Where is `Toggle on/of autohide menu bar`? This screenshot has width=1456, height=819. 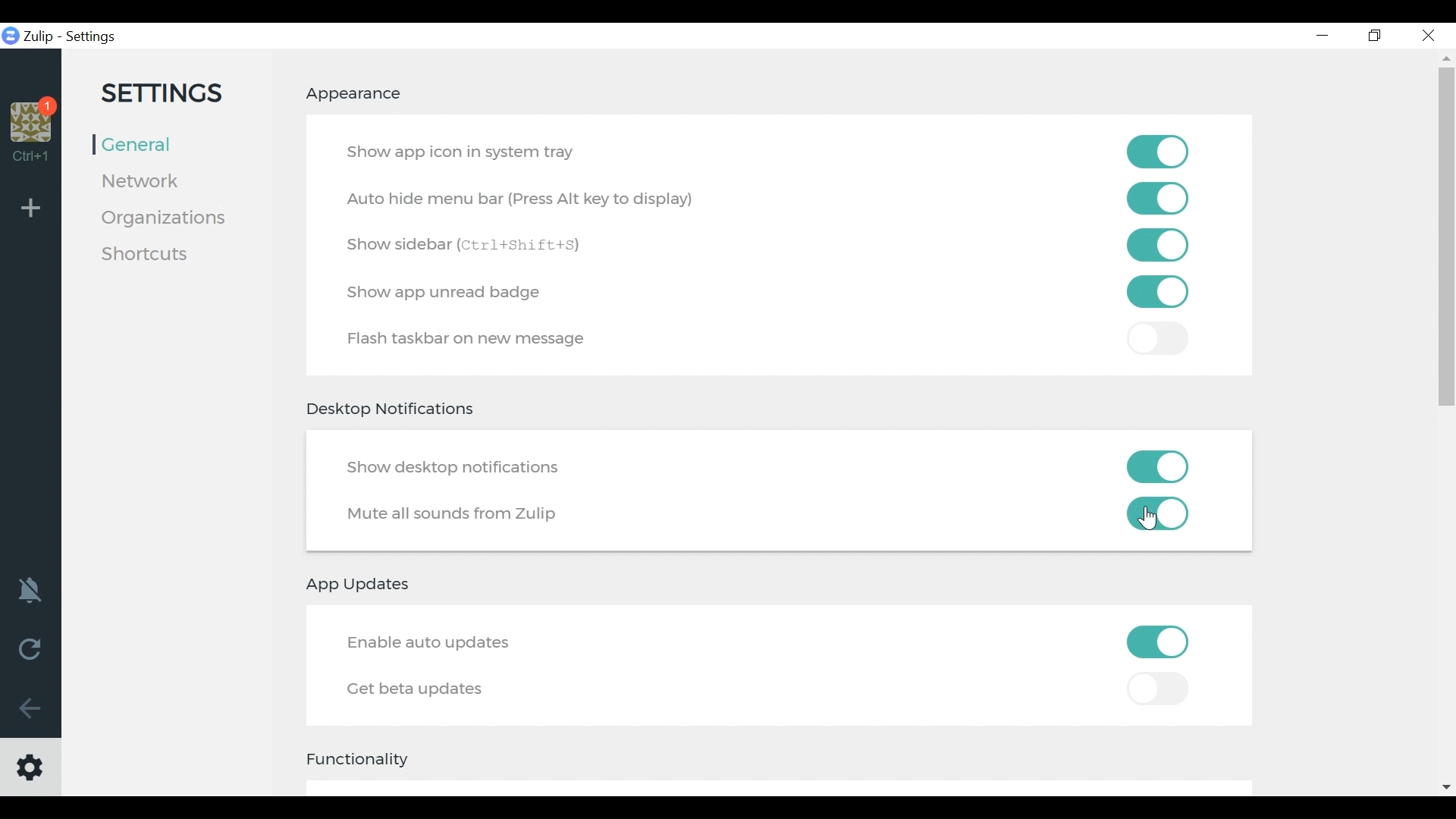 Toggle on/of autohide menu bar is located at coordinates (1157, 199).